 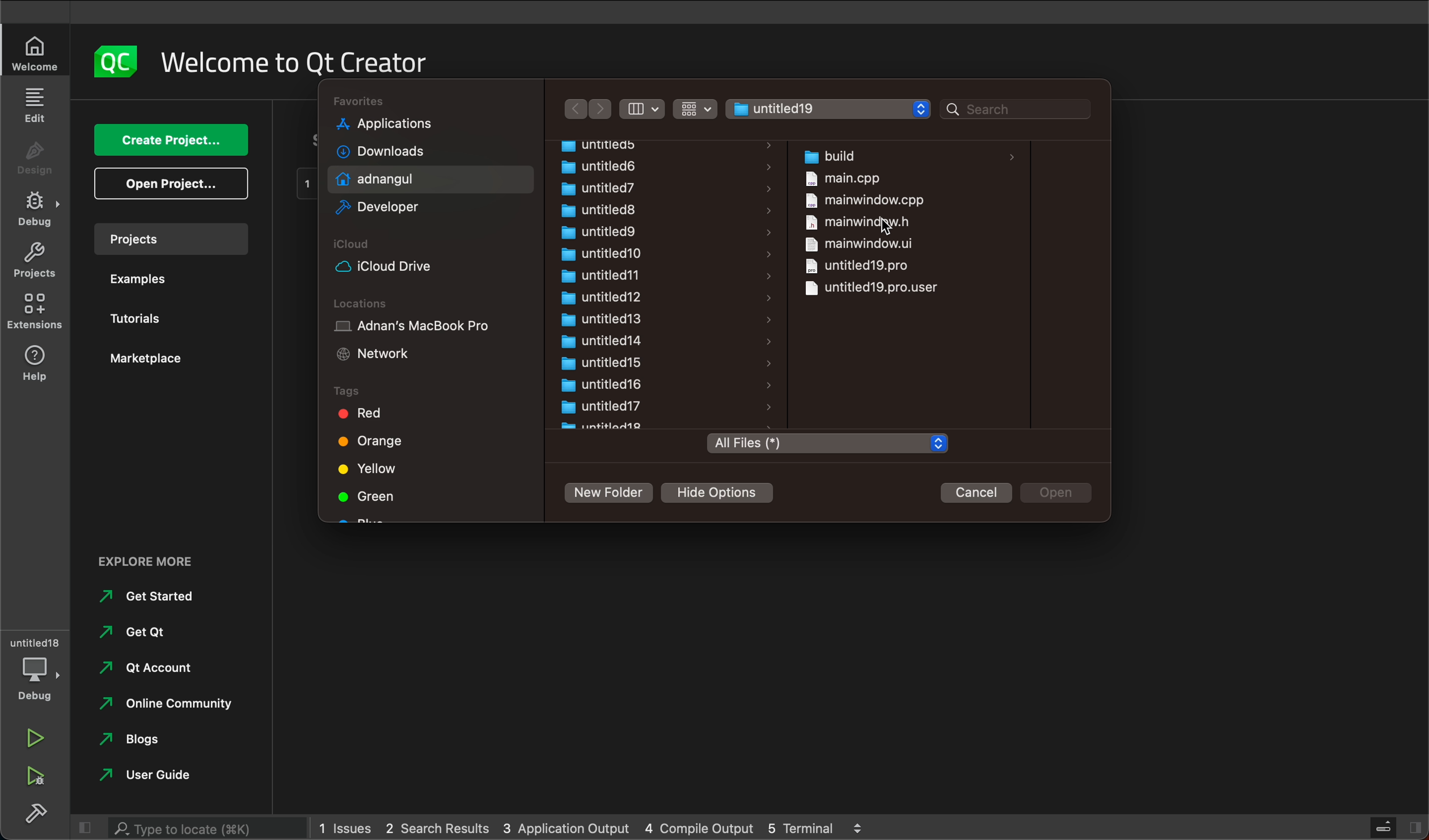 I want to click on , so click(x=695, y=109).